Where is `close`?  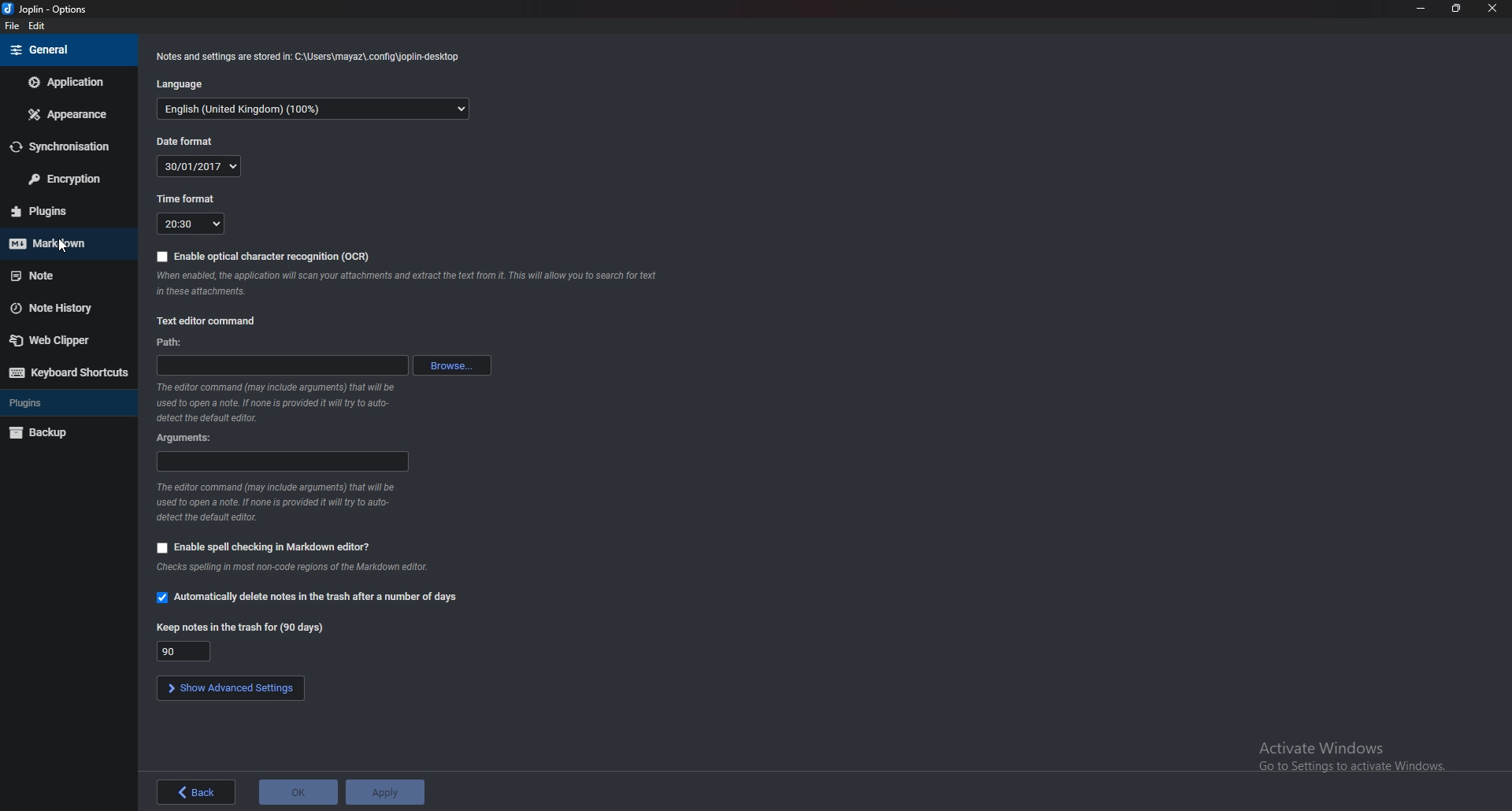
close is located at coordinates (1493, 9).